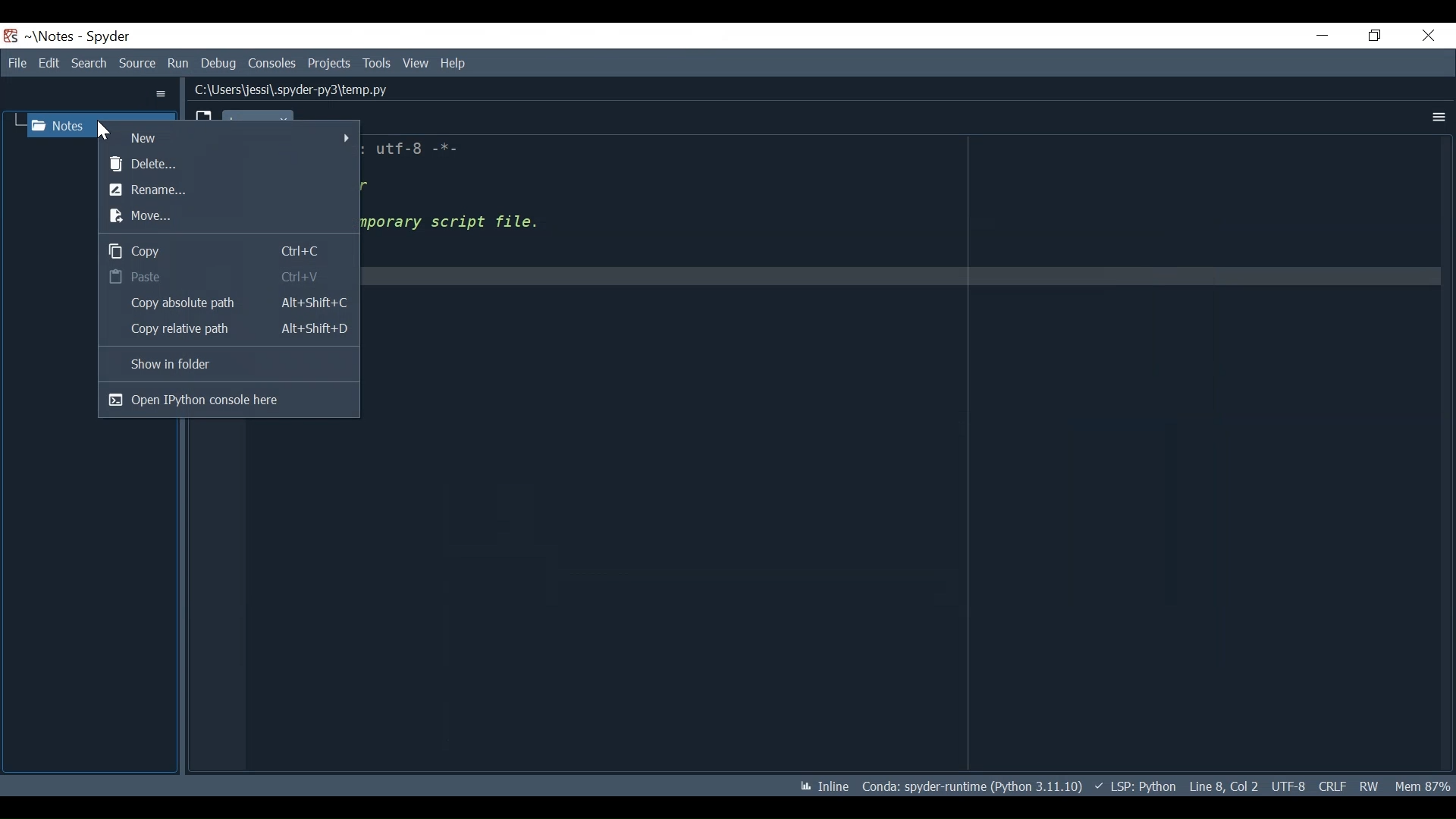  Describe the element at coordinates (1376, 35) in the screenshot. I see `Restore` at that location.